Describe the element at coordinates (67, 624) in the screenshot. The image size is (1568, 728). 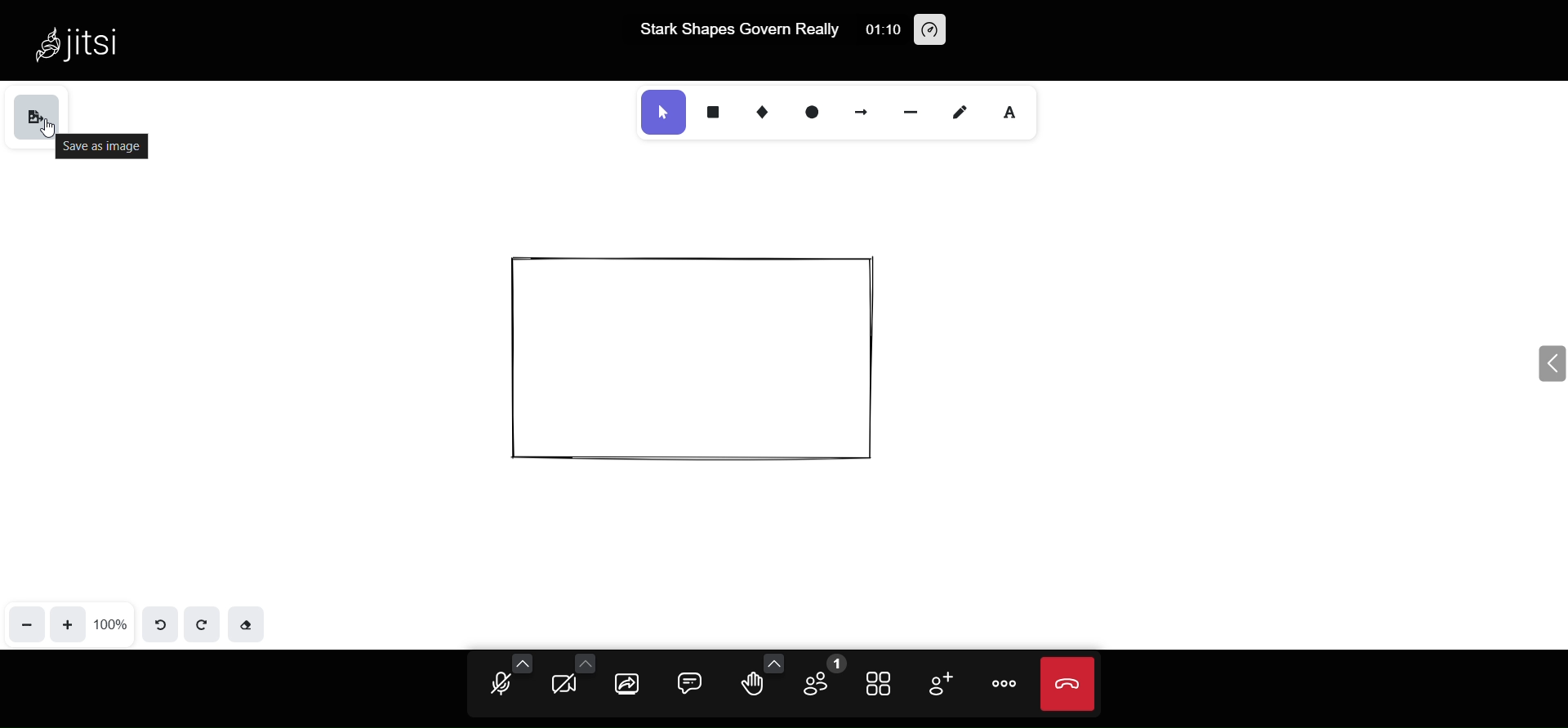
I see `zoom in` at that location.